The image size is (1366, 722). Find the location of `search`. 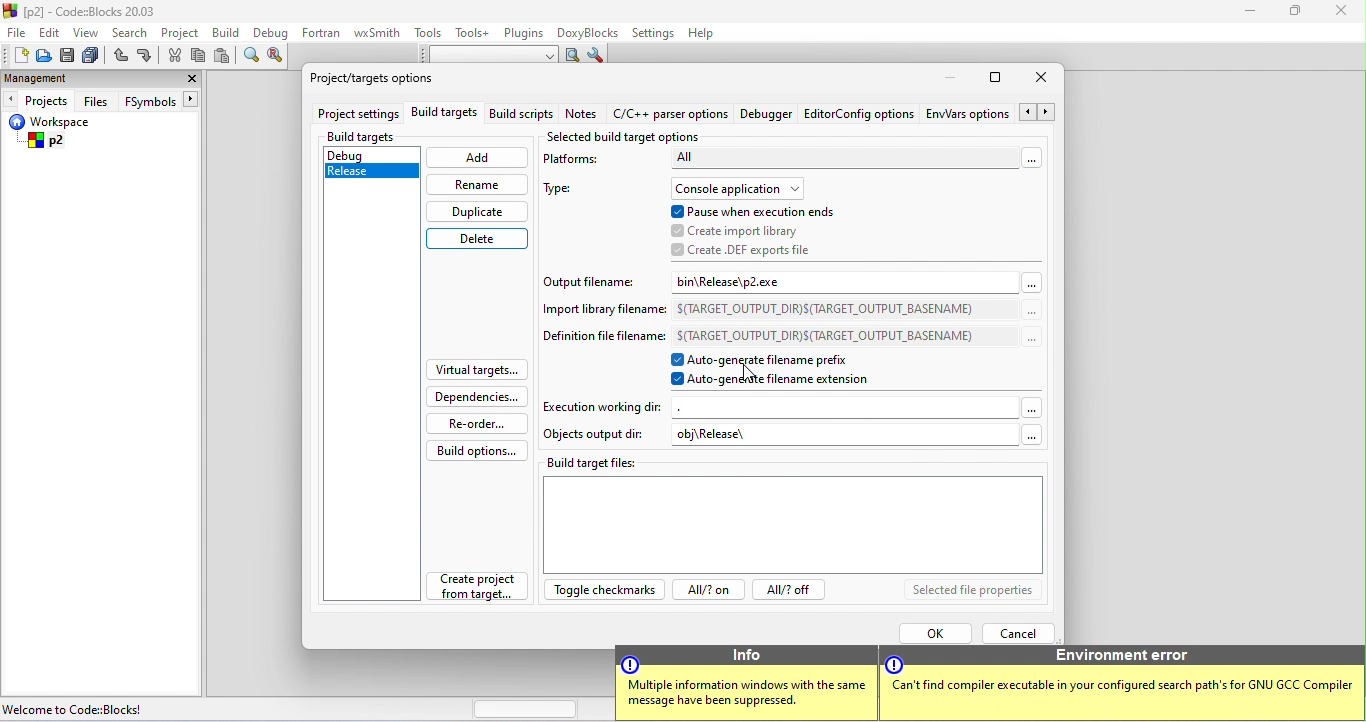

search is located at coordinates (130, 31).